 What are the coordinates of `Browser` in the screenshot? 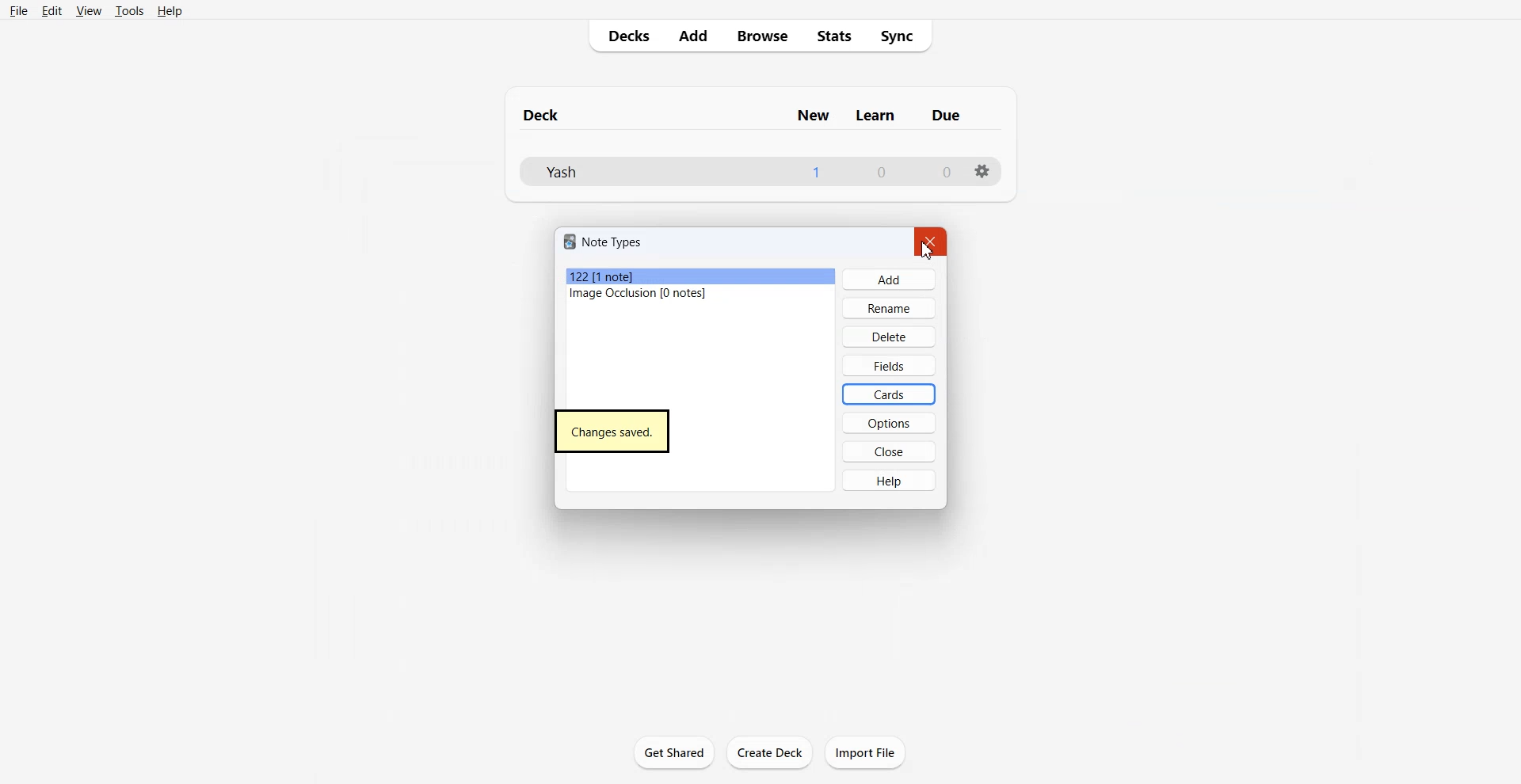 It's located at (761, 36).